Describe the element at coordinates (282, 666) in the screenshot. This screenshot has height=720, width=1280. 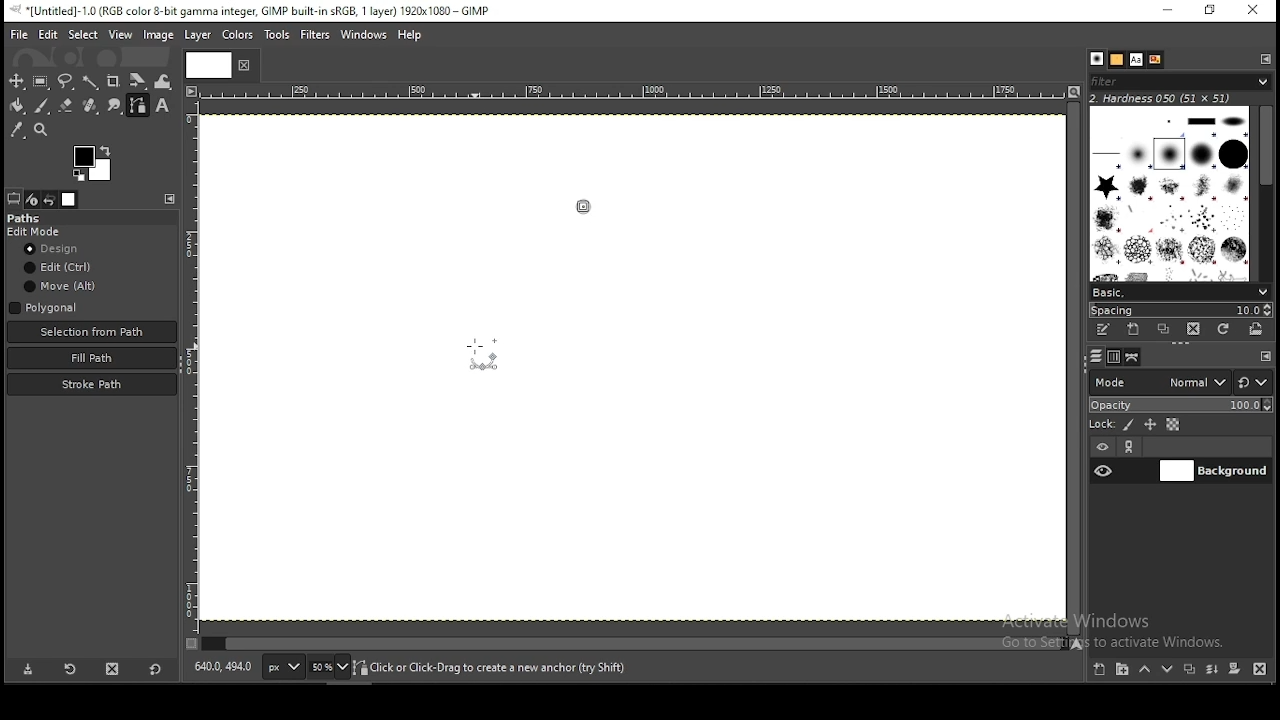
I see `units` at that location.